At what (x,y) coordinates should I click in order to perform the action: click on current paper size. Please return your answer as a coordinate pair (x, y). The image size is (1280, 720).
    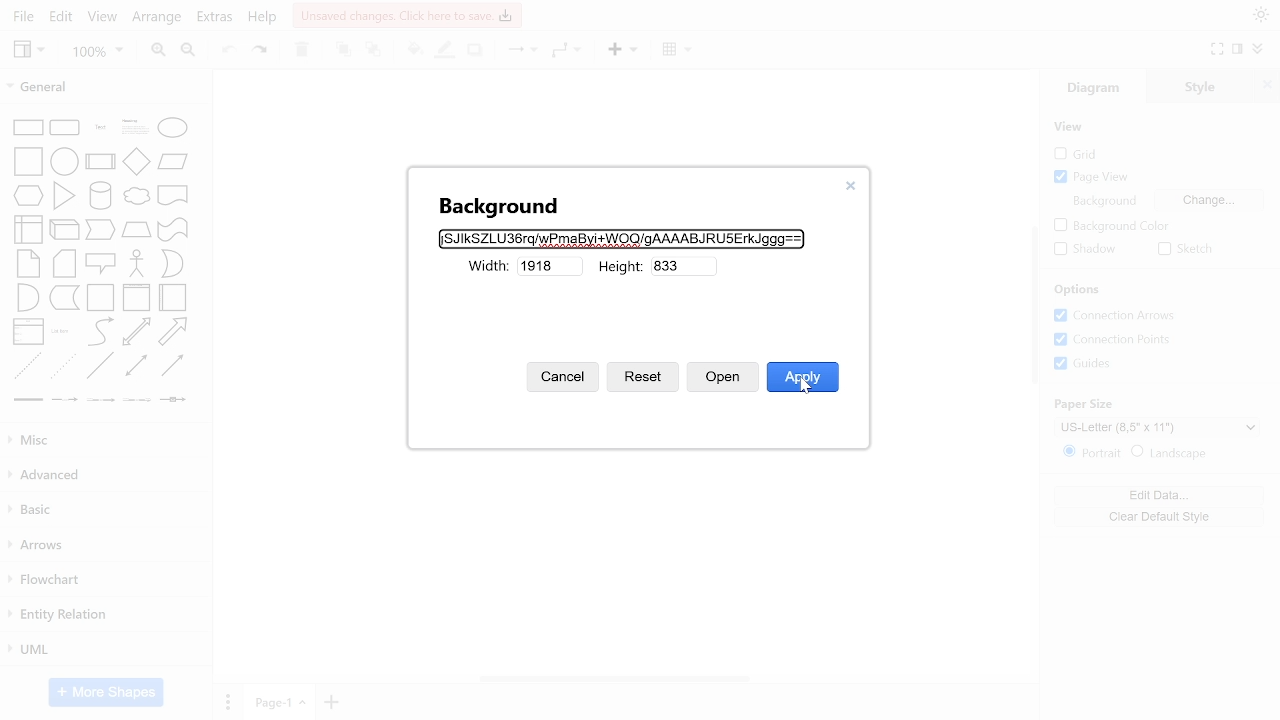
    Looking at the image, I should click on (1159, 426).